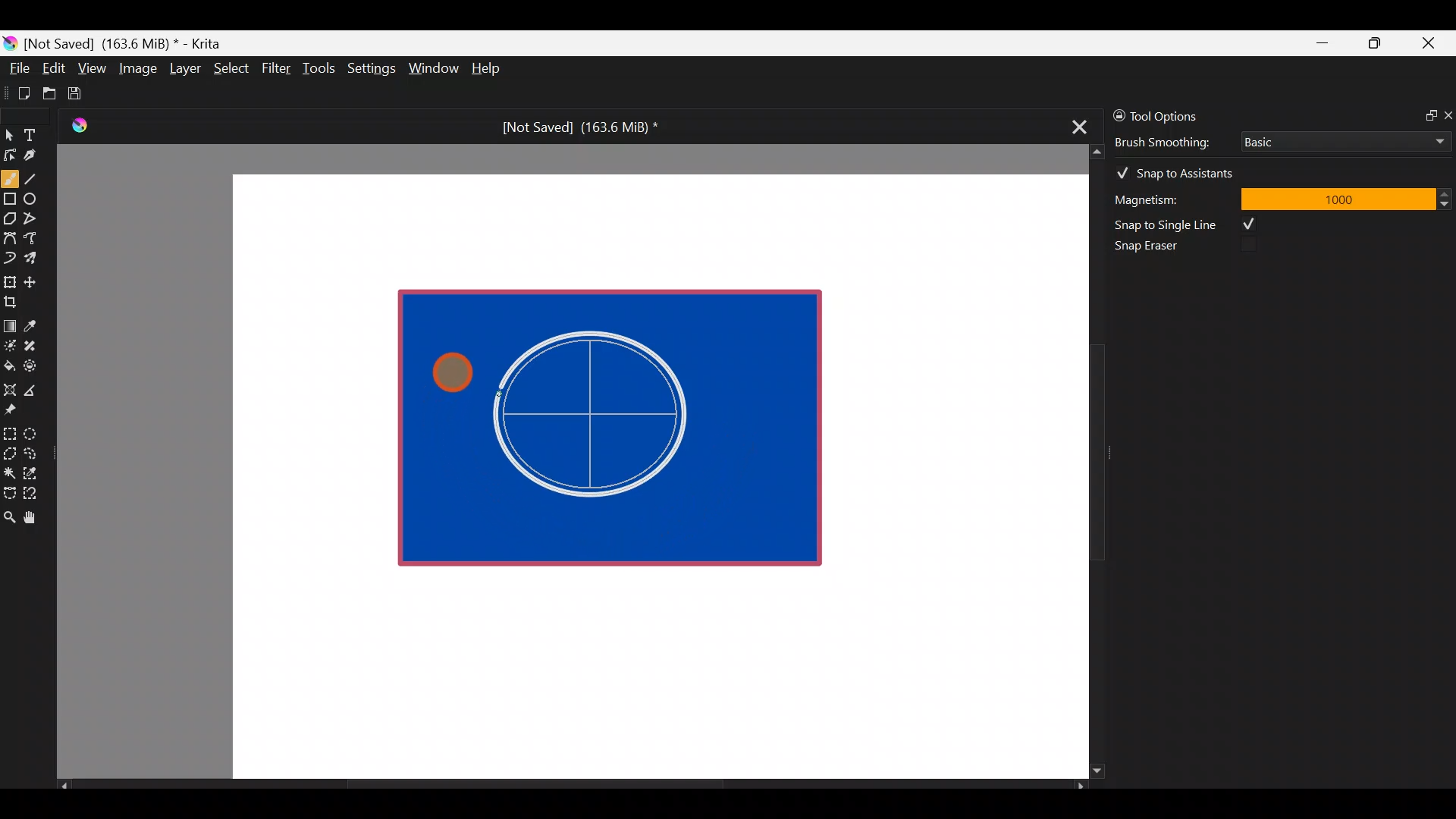 This screenshot has width=1456, height=819. I want to click on Dynamic brush tool, so click(11, 258).